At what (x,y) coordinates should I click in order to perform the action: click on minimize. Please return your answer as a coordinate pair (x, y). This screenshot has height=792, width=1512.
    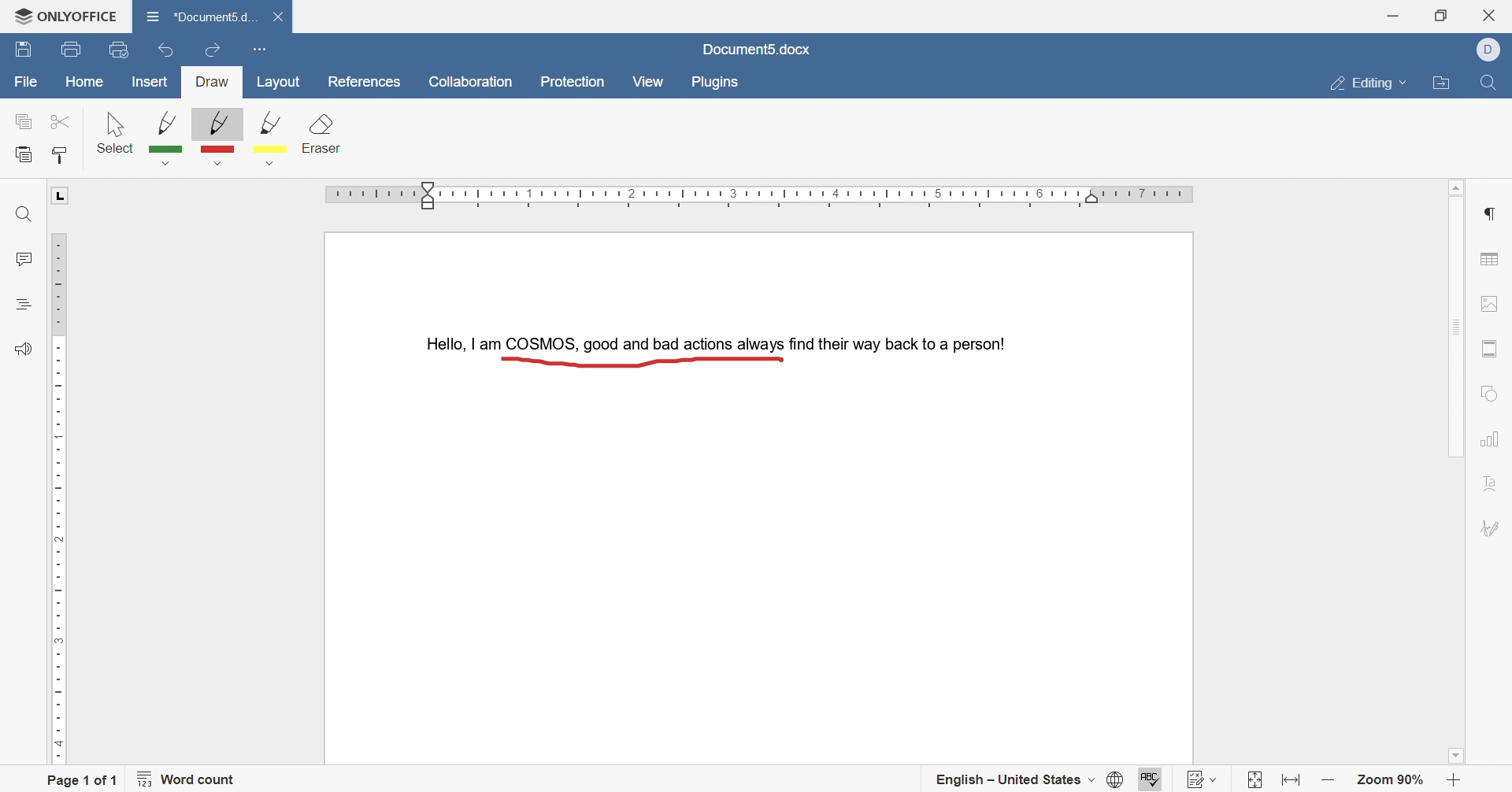
    Looking at the image, I should click on (1392, 13).